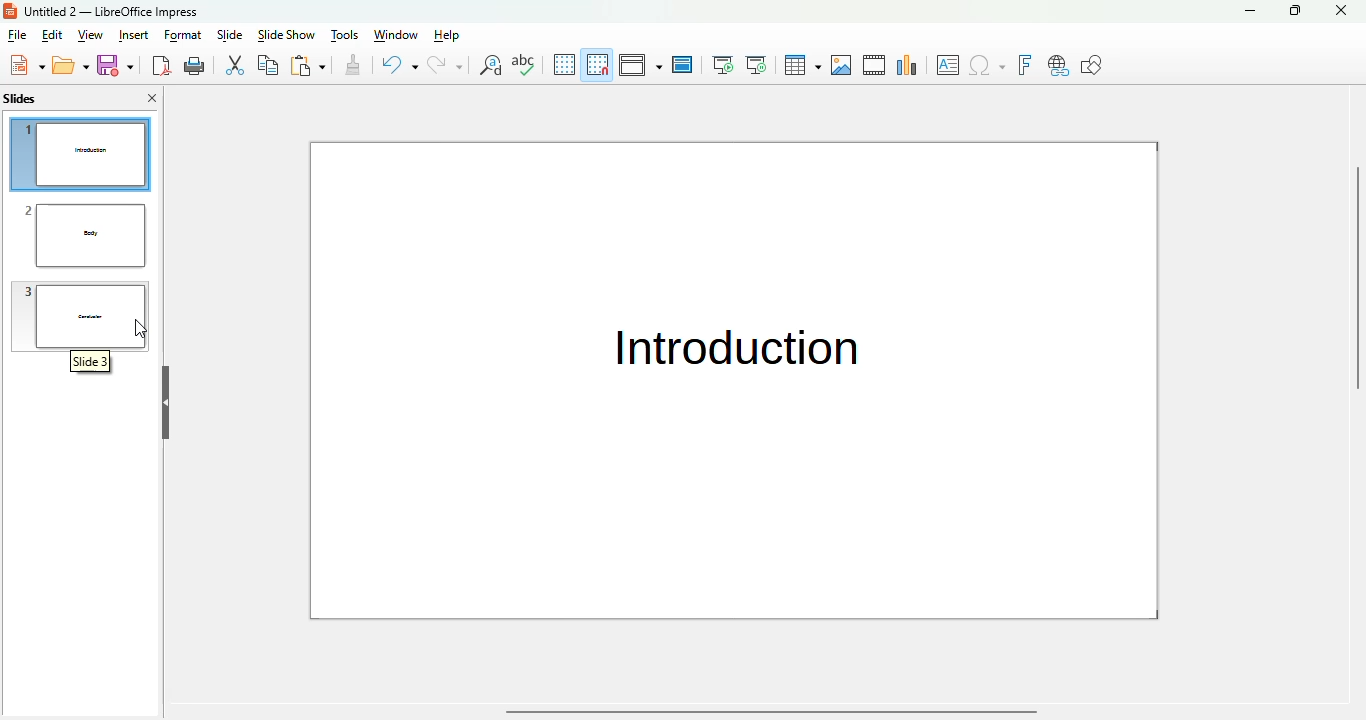 The width and height of the screenshot is (1366, 720). I want to click on slide 1, so click(731, 382).